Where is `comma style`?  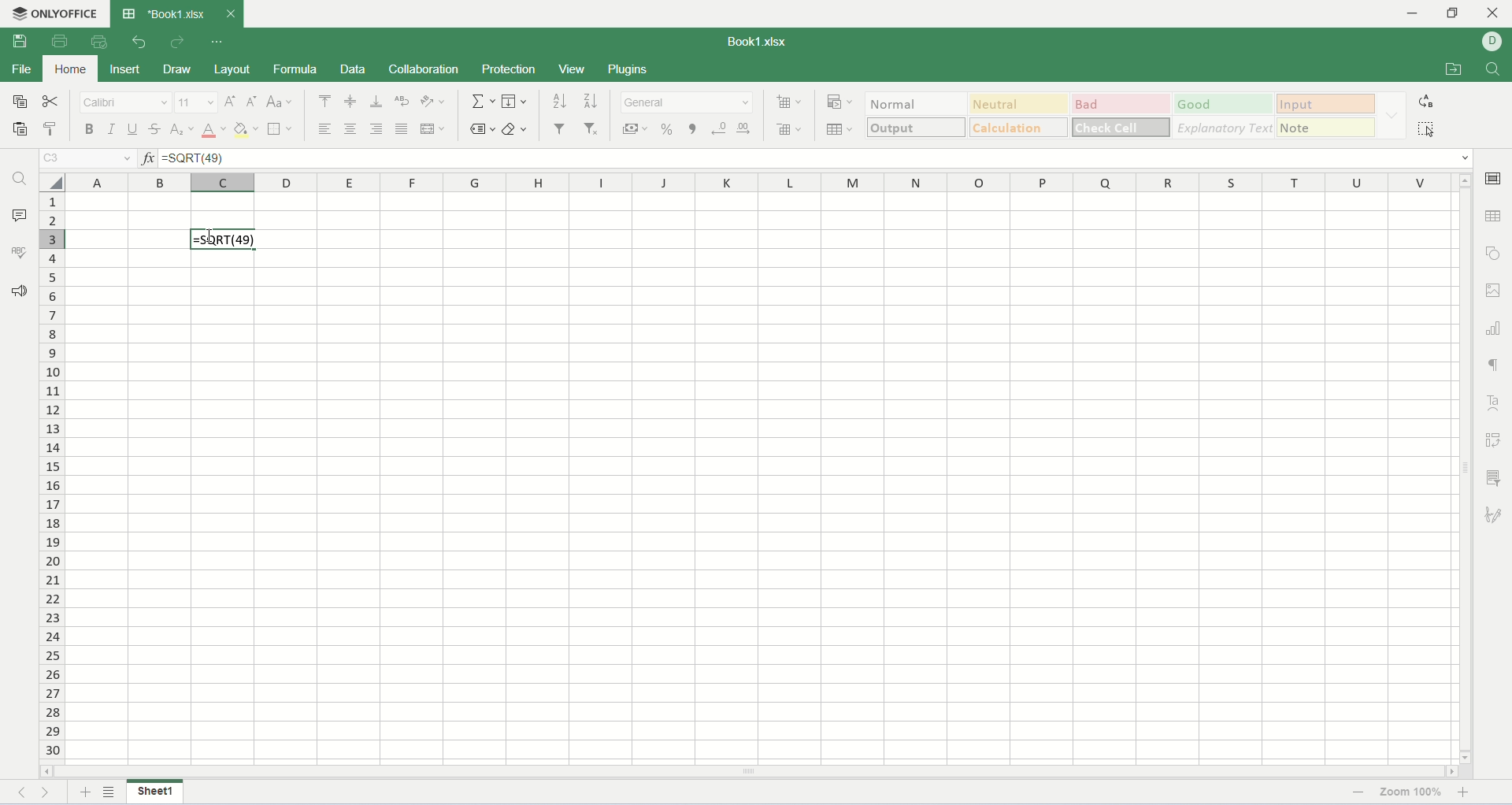 comma style is located at coordinates (695, 128).